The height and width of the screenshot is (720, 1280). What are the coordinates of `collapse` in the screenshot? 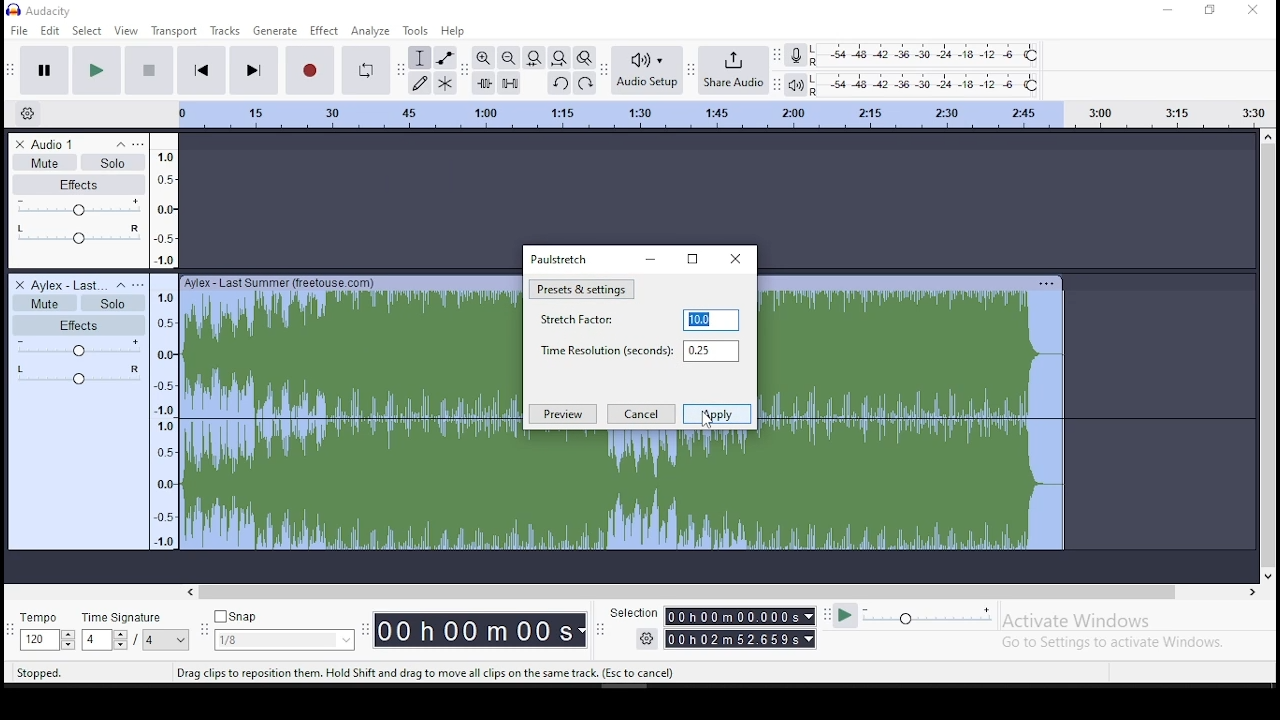 It's located at (119, 145).